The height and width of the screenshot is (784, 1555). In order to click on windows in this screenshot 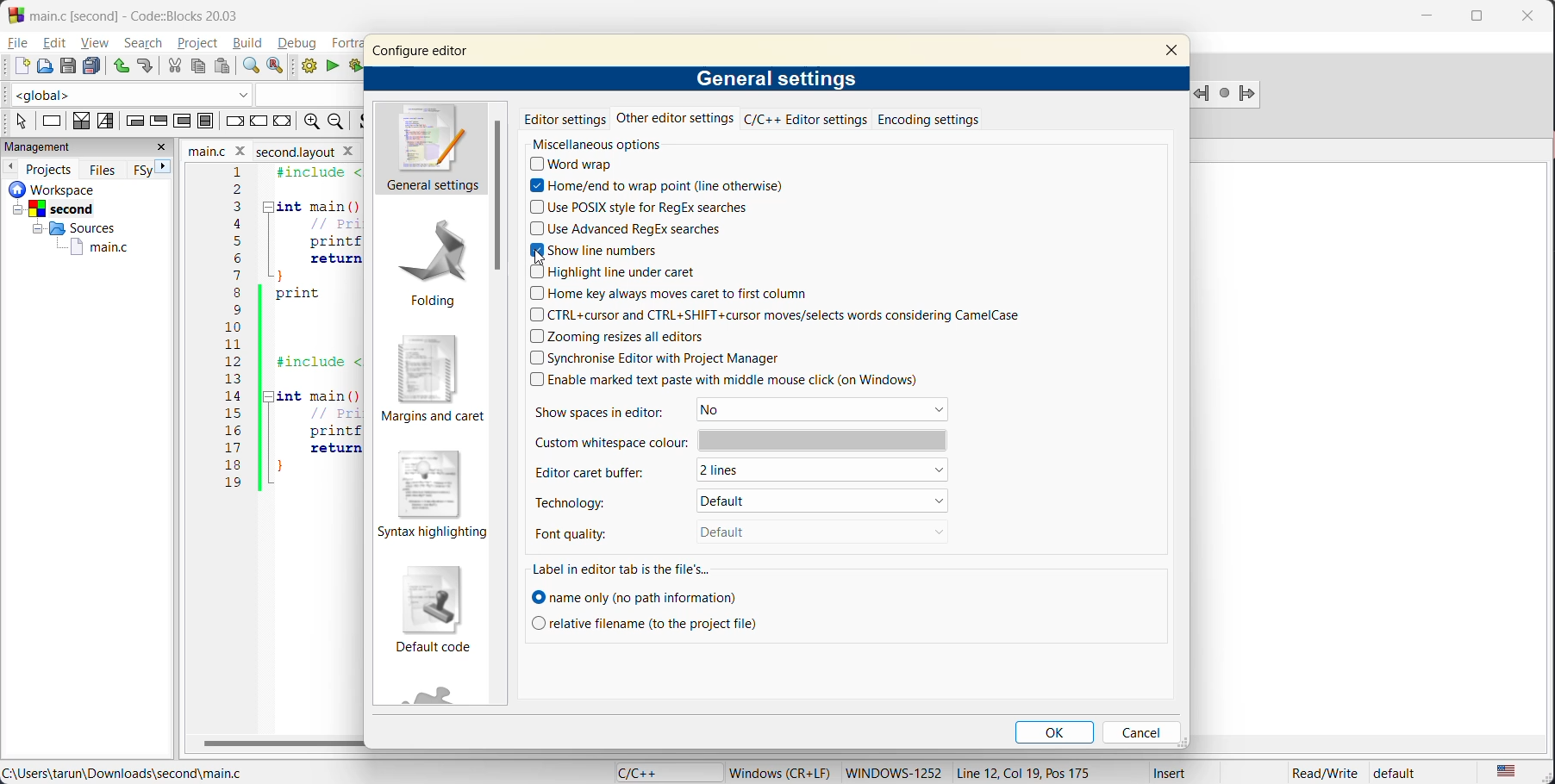, I will do `click(891, 772)`.